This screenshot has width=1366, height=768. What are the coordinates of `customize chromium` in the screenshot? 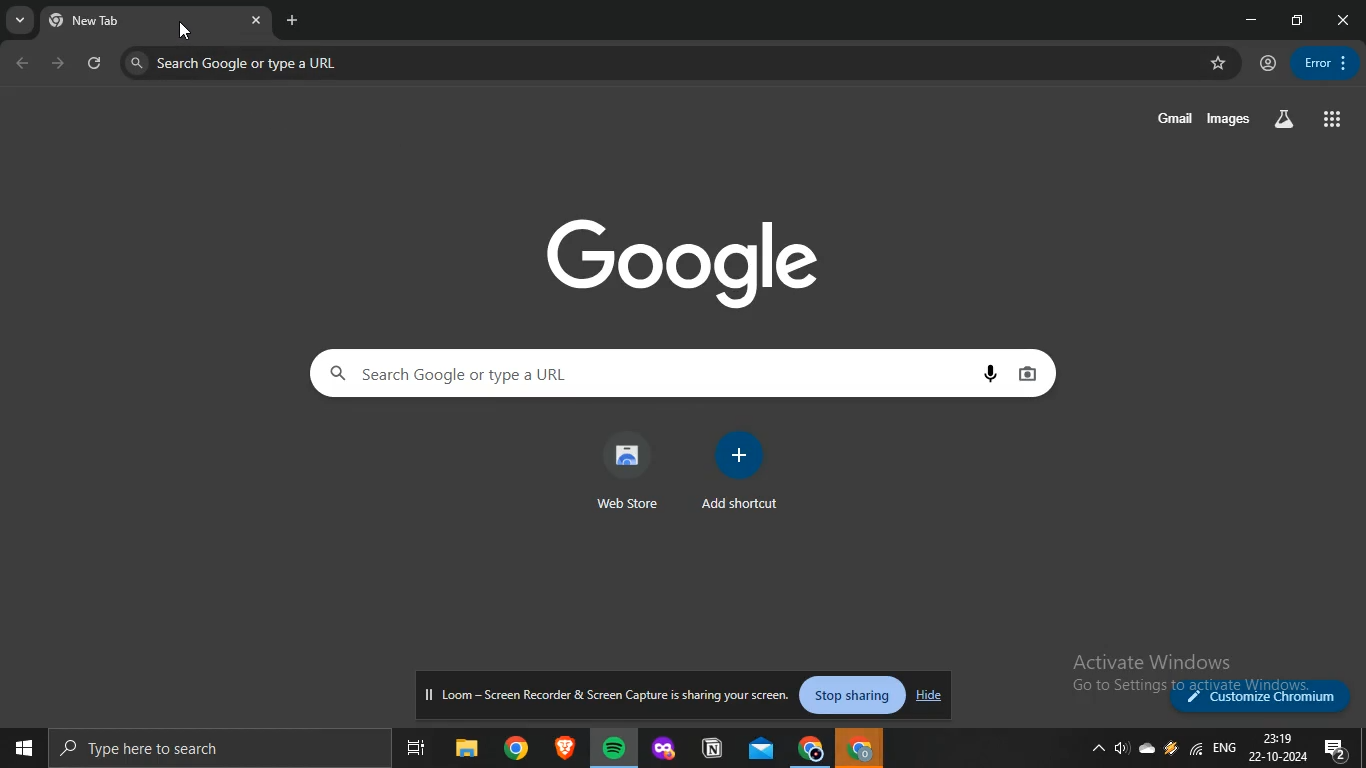 It's located at (1264, 696).